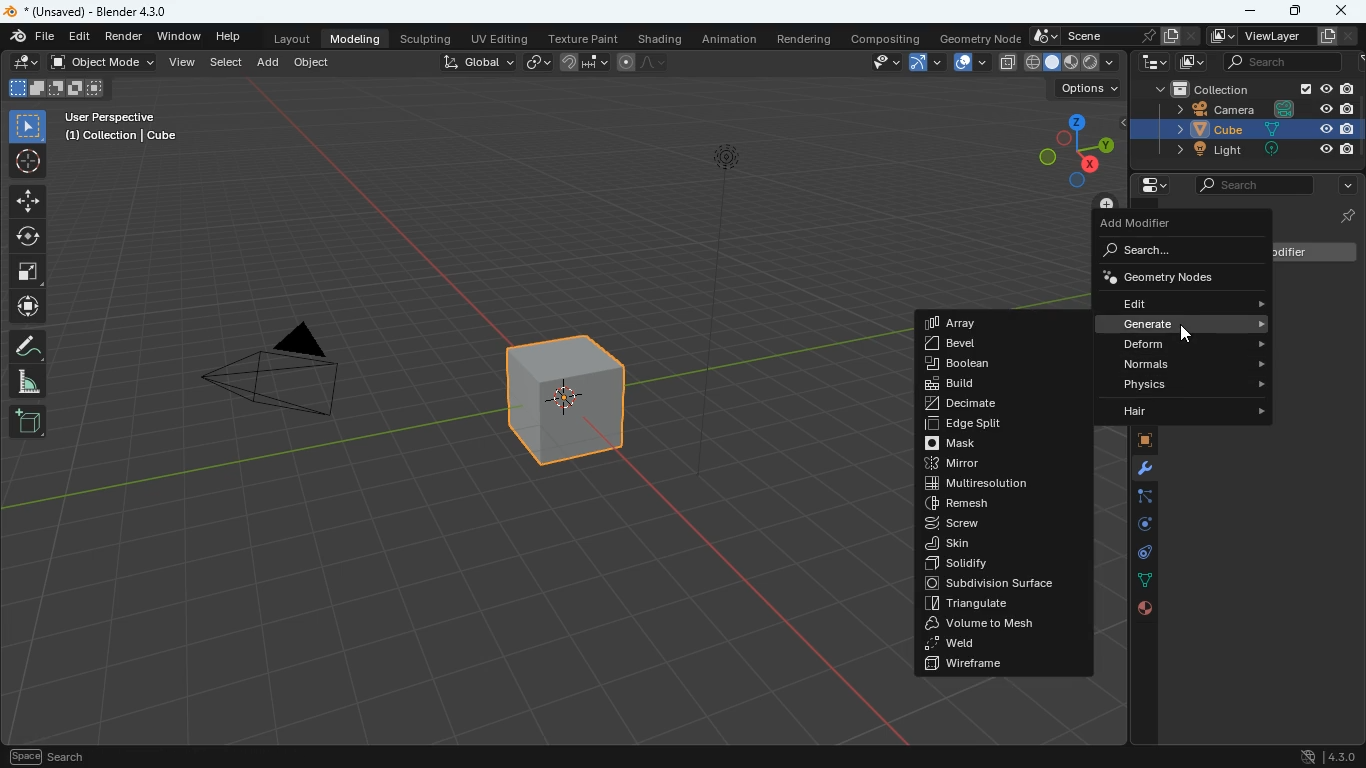 The image size is (1366, 768). What do you see at coordinates (1187, 337) in the screenshot?
I see `cursor` at bounding box center [1187, 337].